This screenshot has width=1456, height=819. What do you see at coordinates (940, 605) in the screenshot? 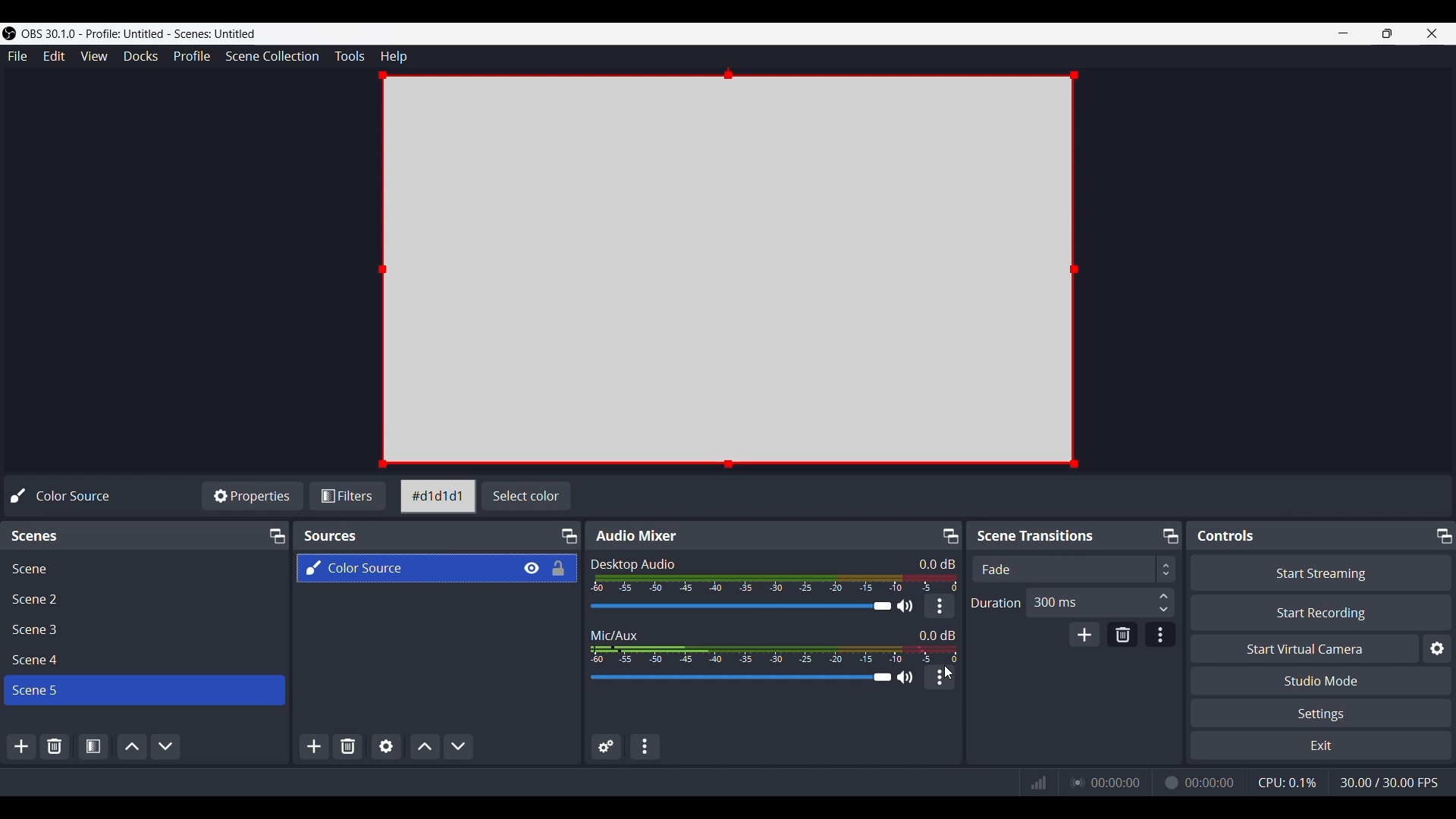
I see `More` at bounding box center [940, 605].